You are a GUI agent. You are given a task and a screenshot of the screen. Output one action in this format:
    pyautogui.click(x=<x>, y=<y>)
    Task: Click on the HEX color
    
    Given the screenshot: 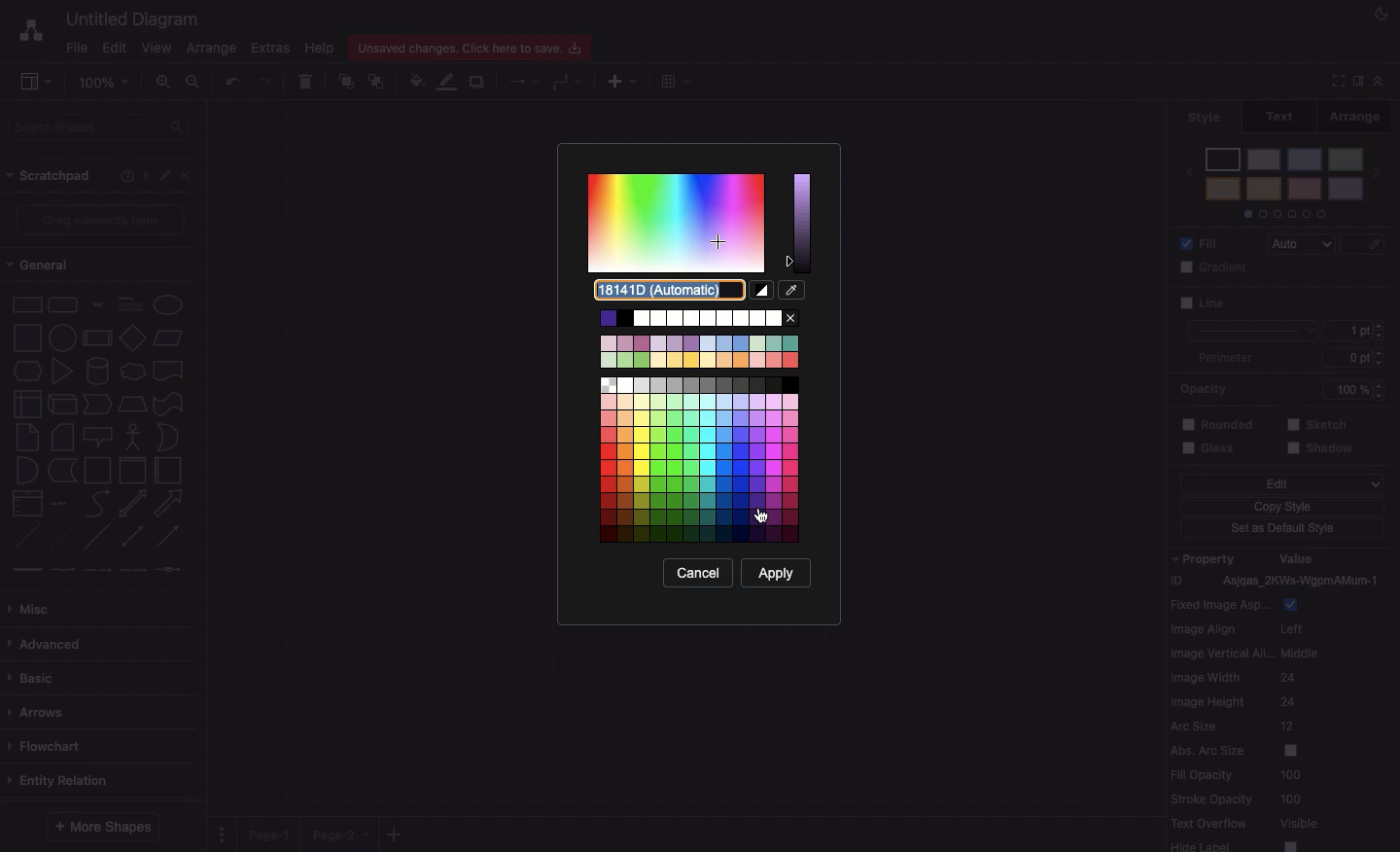 What is the action you would take?
    pyautogui.click(x=674, y=291)
    